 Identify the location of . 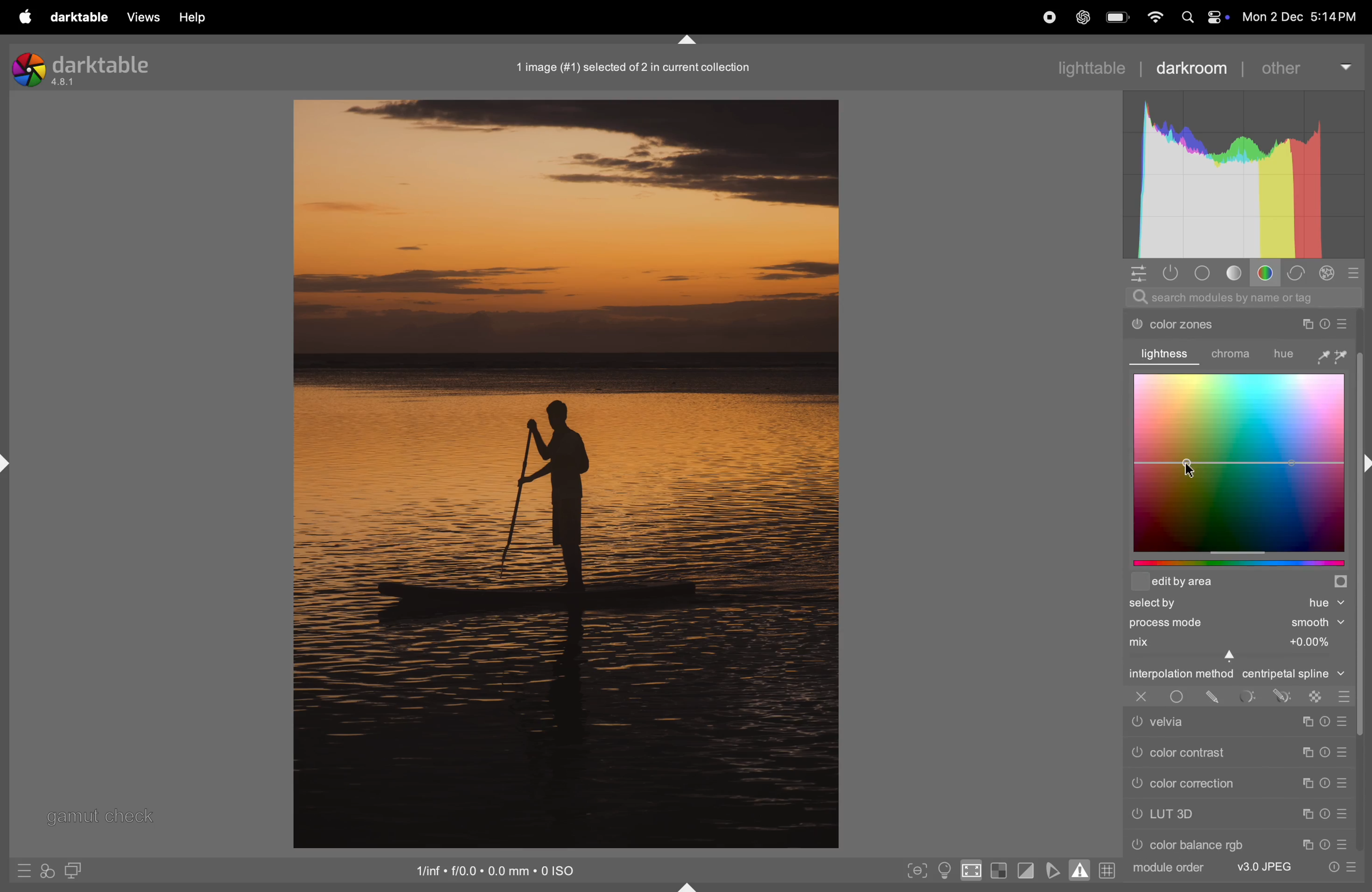
(1317, 697).